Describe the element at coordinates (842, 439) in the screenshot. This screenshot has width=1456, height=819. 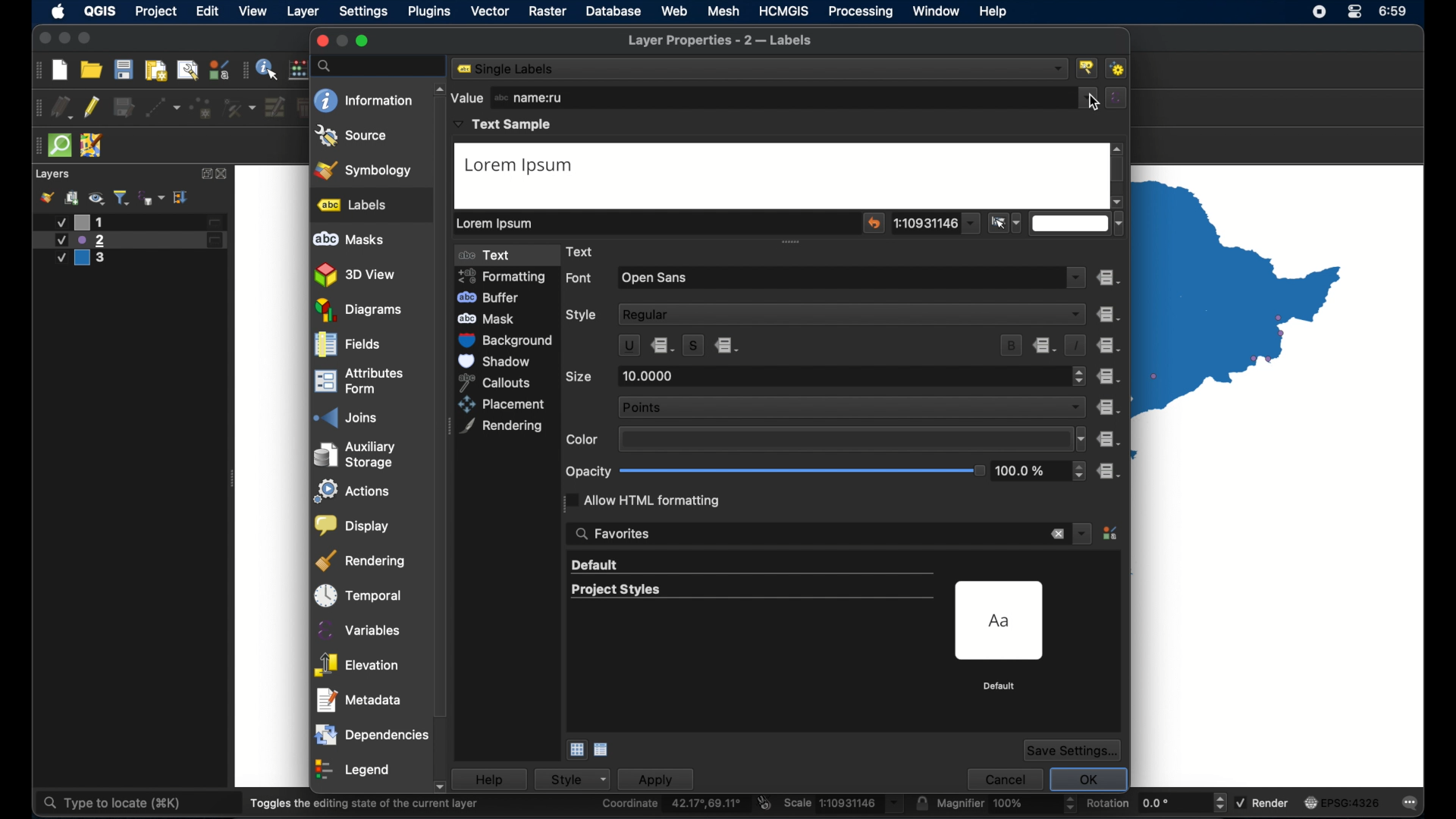
I see `color preview` at that location.